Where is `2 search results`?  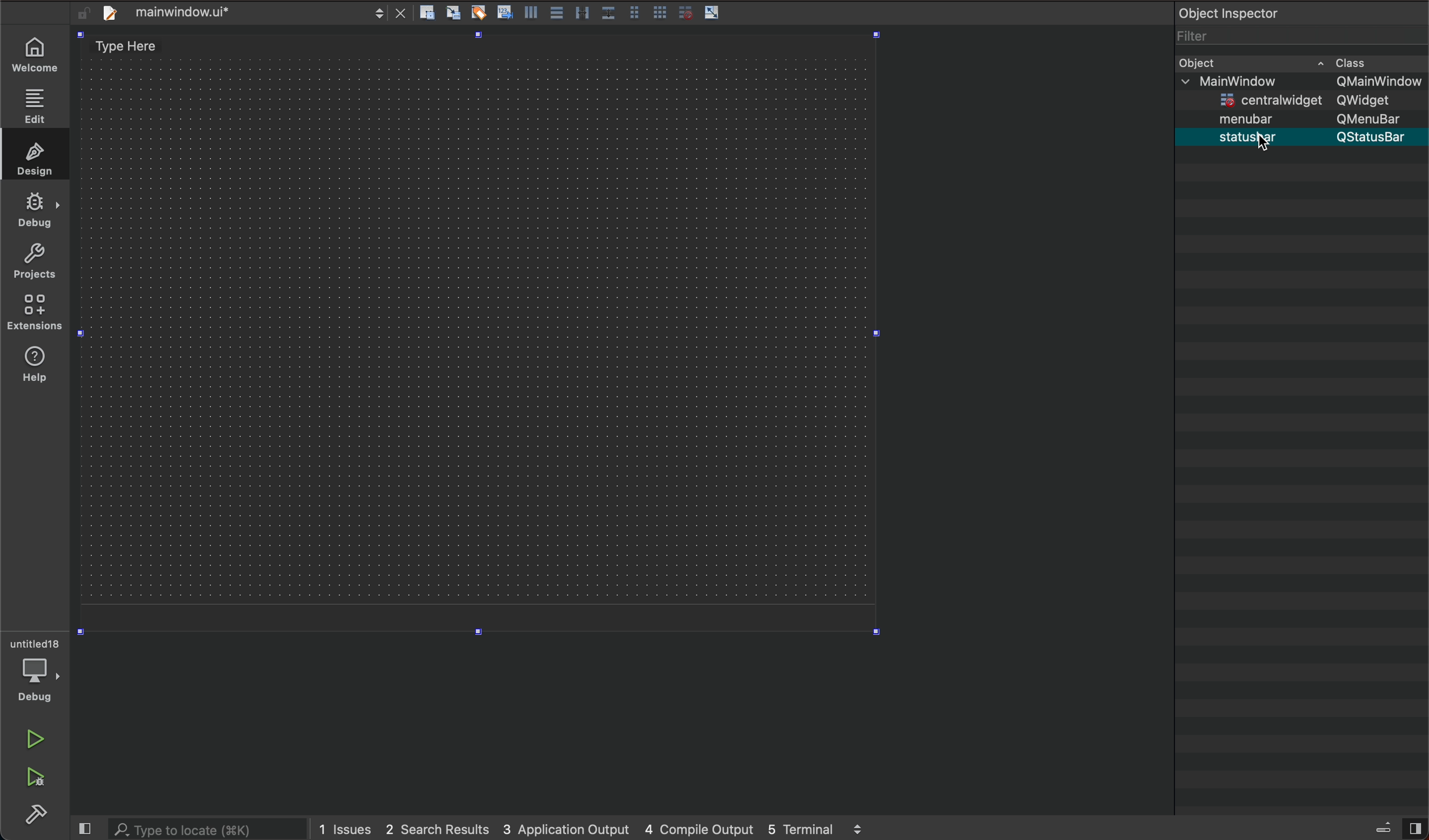
2 search results is located at coordinates (437, 827).